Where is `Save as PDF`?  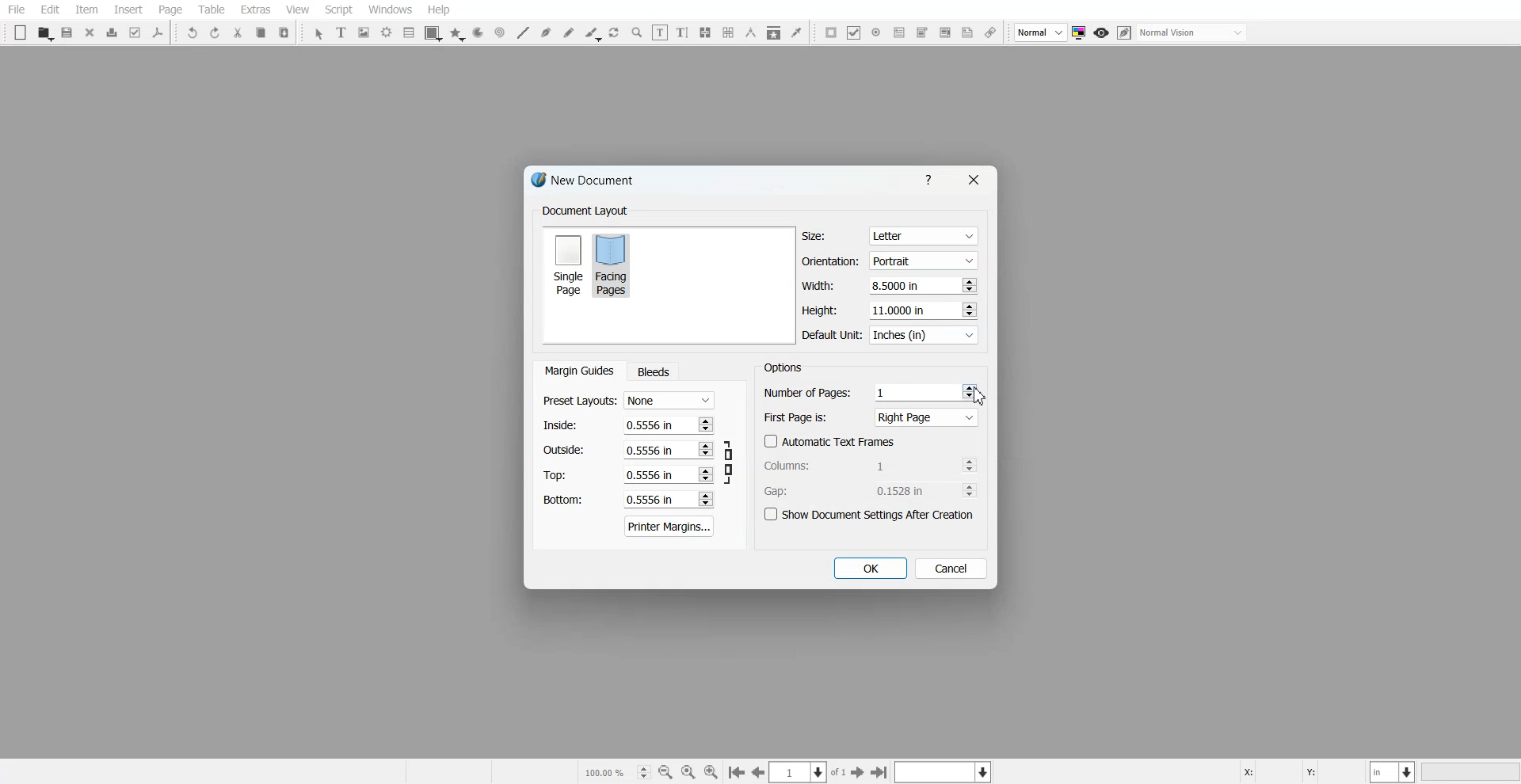
Save as PDF is located at coordinates (158, 32).